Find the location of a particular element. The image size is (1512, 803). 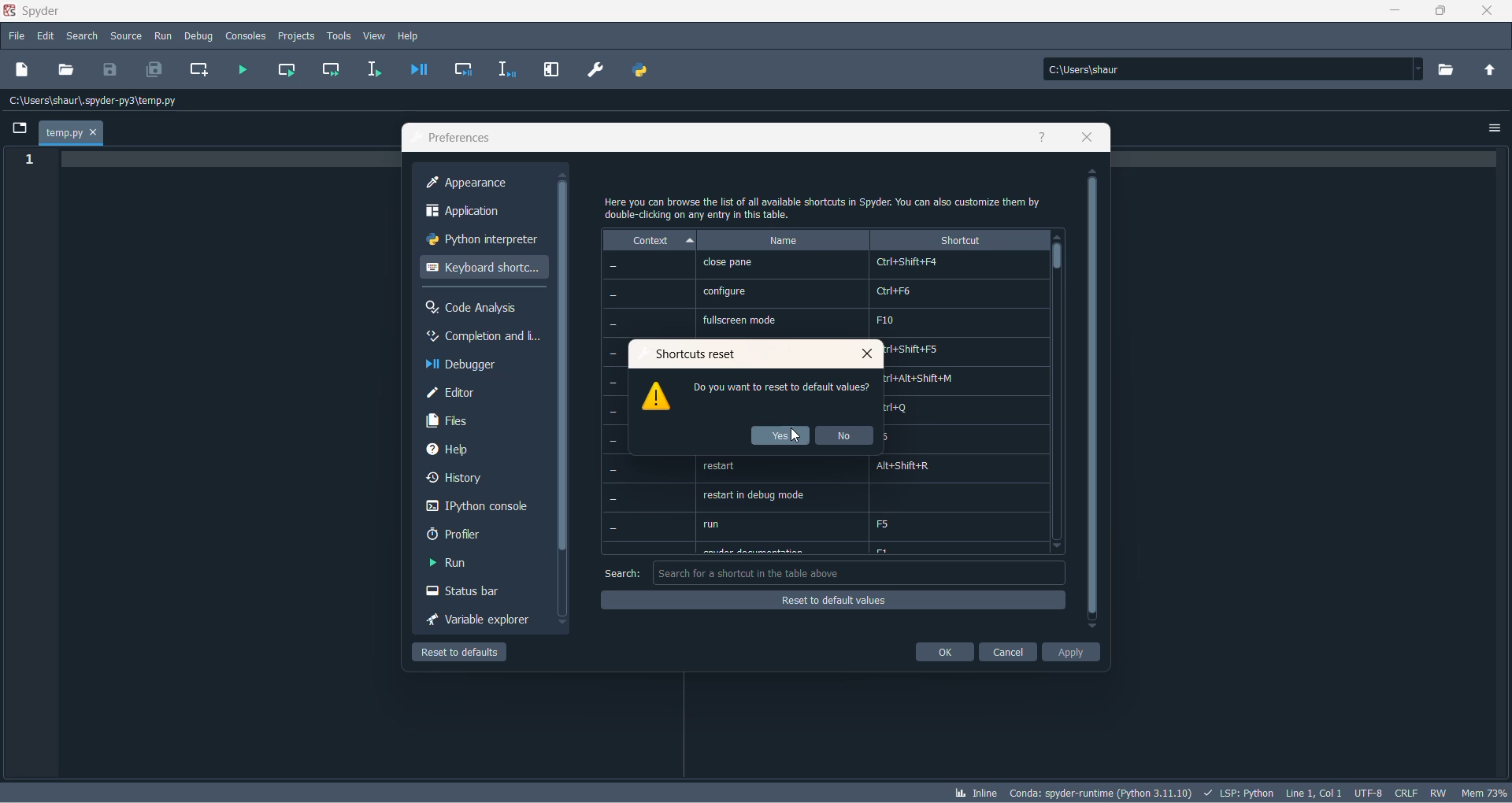

consoles is located at coordinates (246, 35).